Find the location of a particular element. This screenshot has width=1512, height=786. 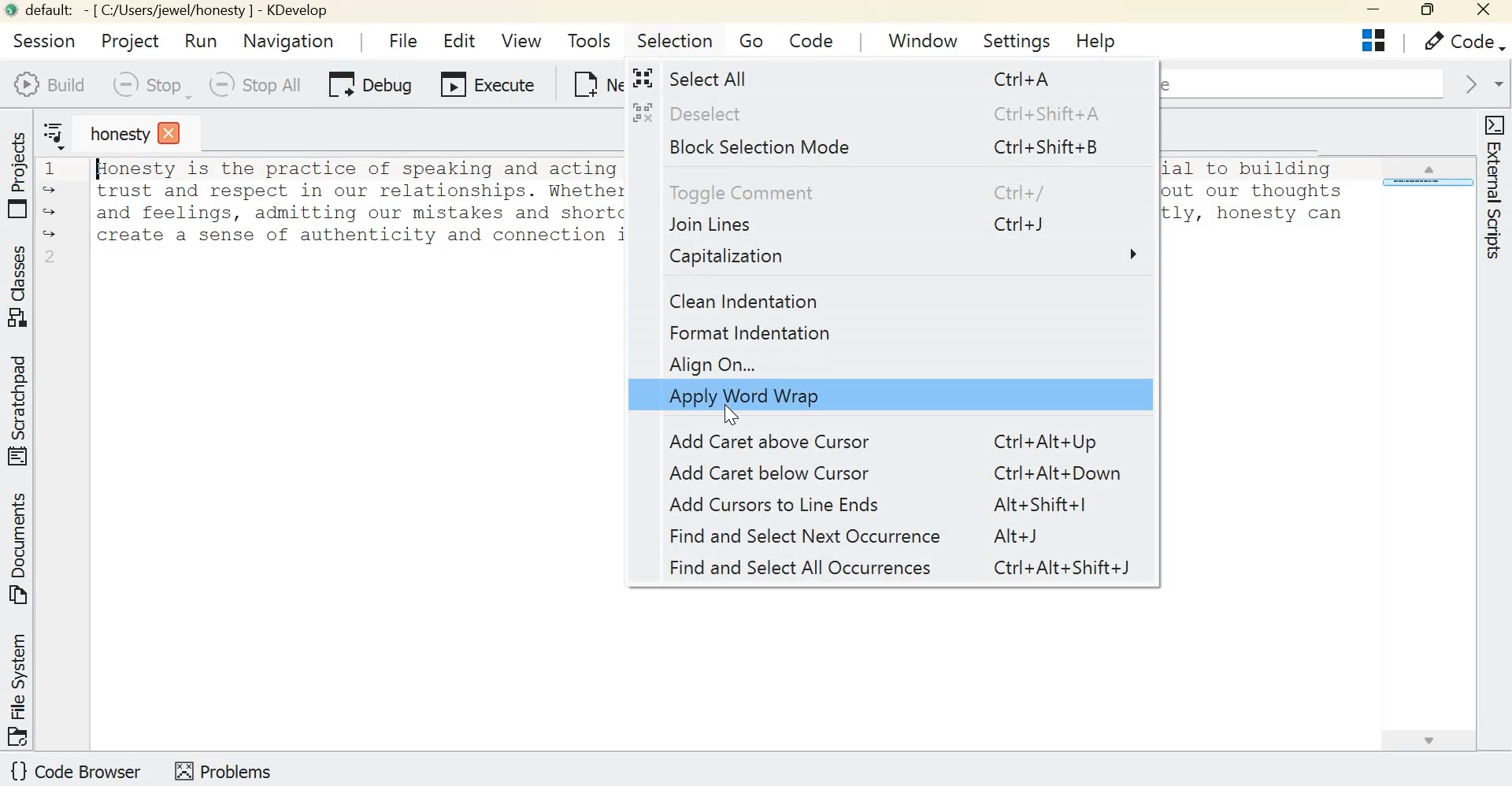

Toggle 'Documents' tool view is located at coordinates (21, 550).